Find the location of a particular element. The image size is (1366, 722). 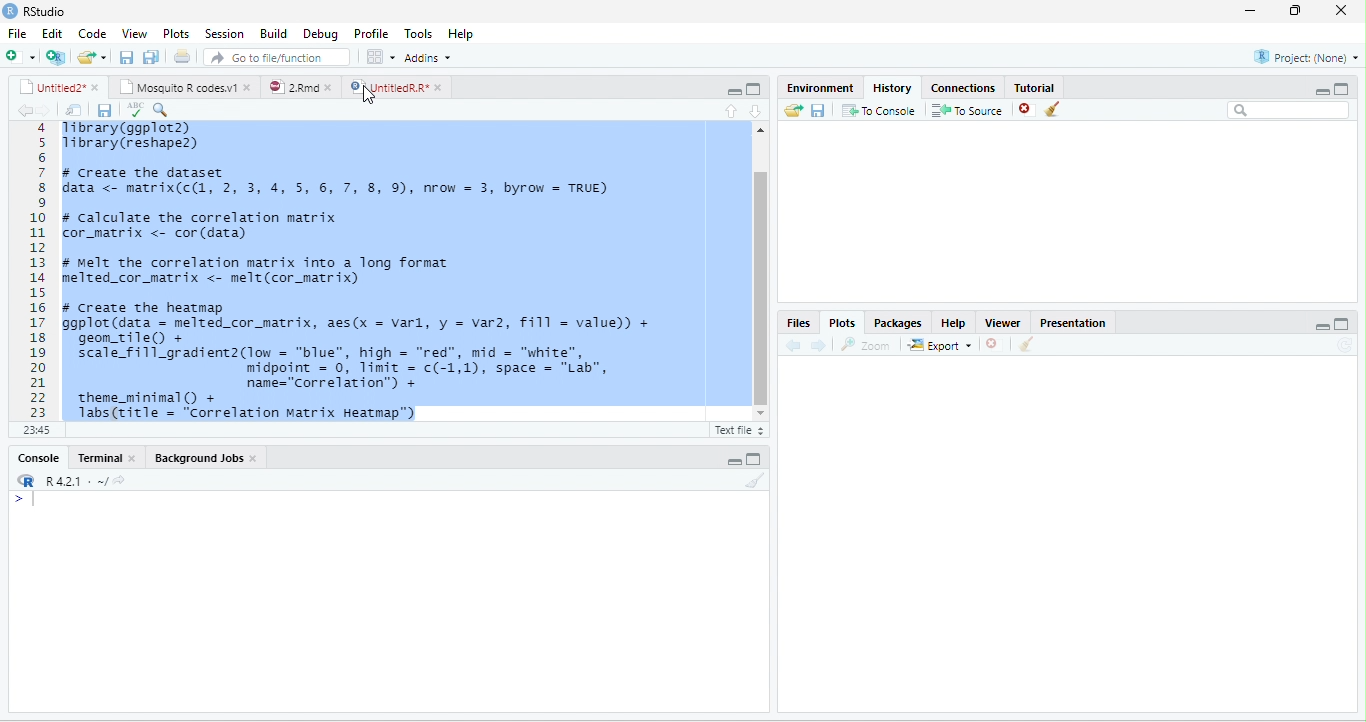

1>1 is located at coordinates (35, 429).